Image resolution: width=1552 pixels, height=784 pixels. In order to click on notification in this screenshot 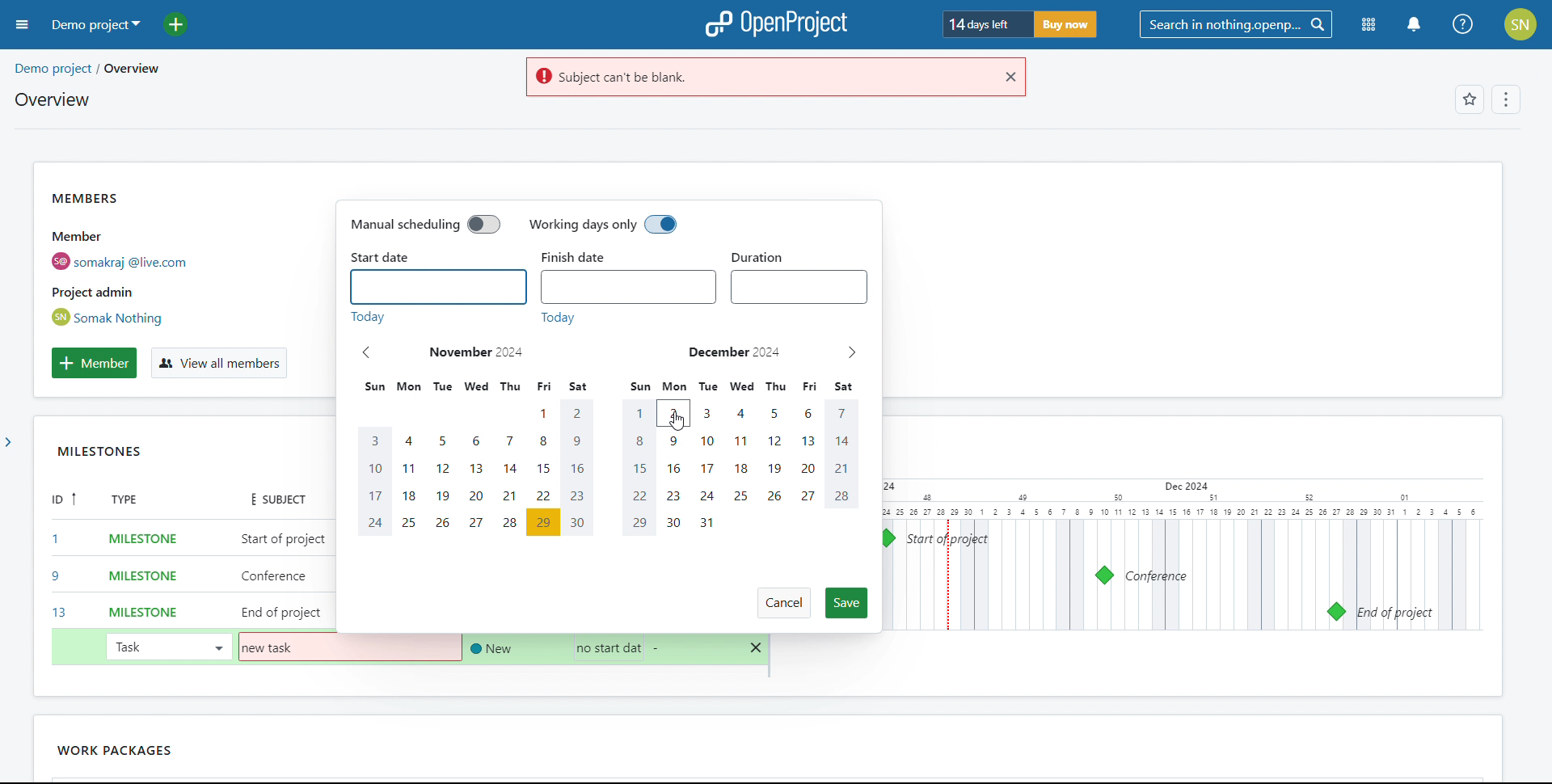, I will do `click(1413, 25)`.